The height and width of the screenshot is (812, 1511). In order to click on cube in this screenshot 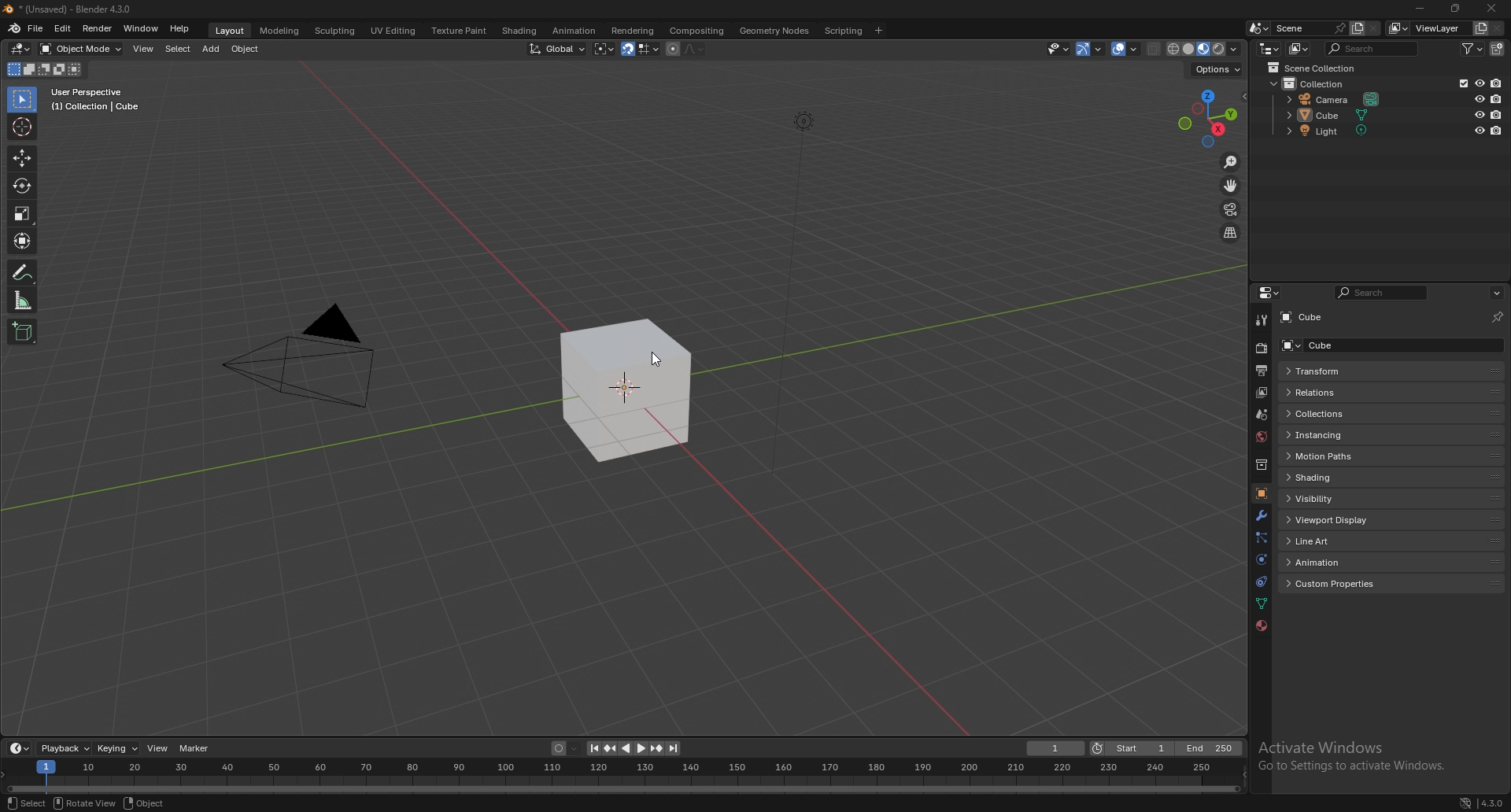, I will do `click(626, 392)`.